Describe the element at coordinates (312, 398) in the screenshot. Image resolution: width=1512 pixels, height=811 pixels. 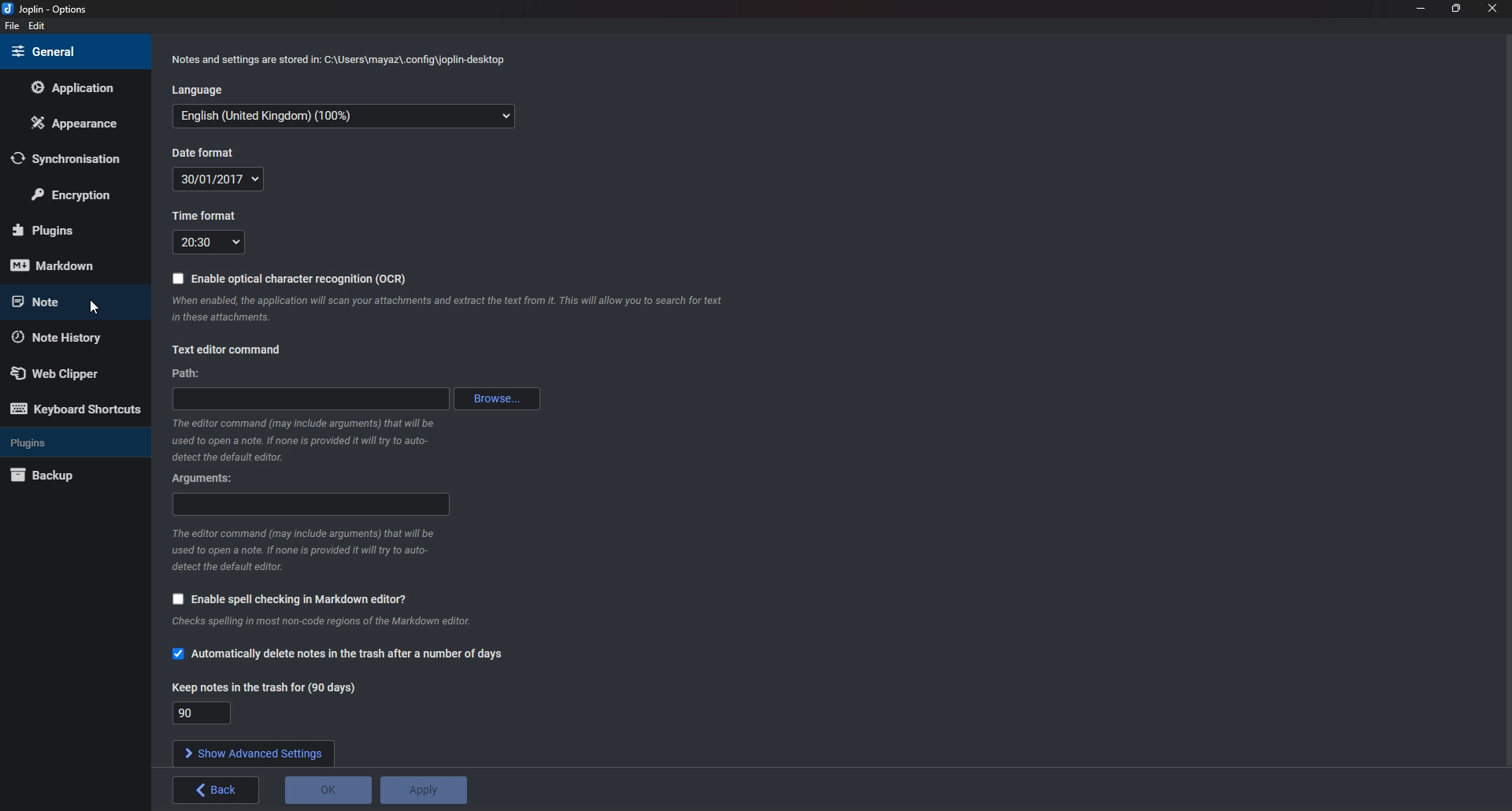
I see `path` at that location.